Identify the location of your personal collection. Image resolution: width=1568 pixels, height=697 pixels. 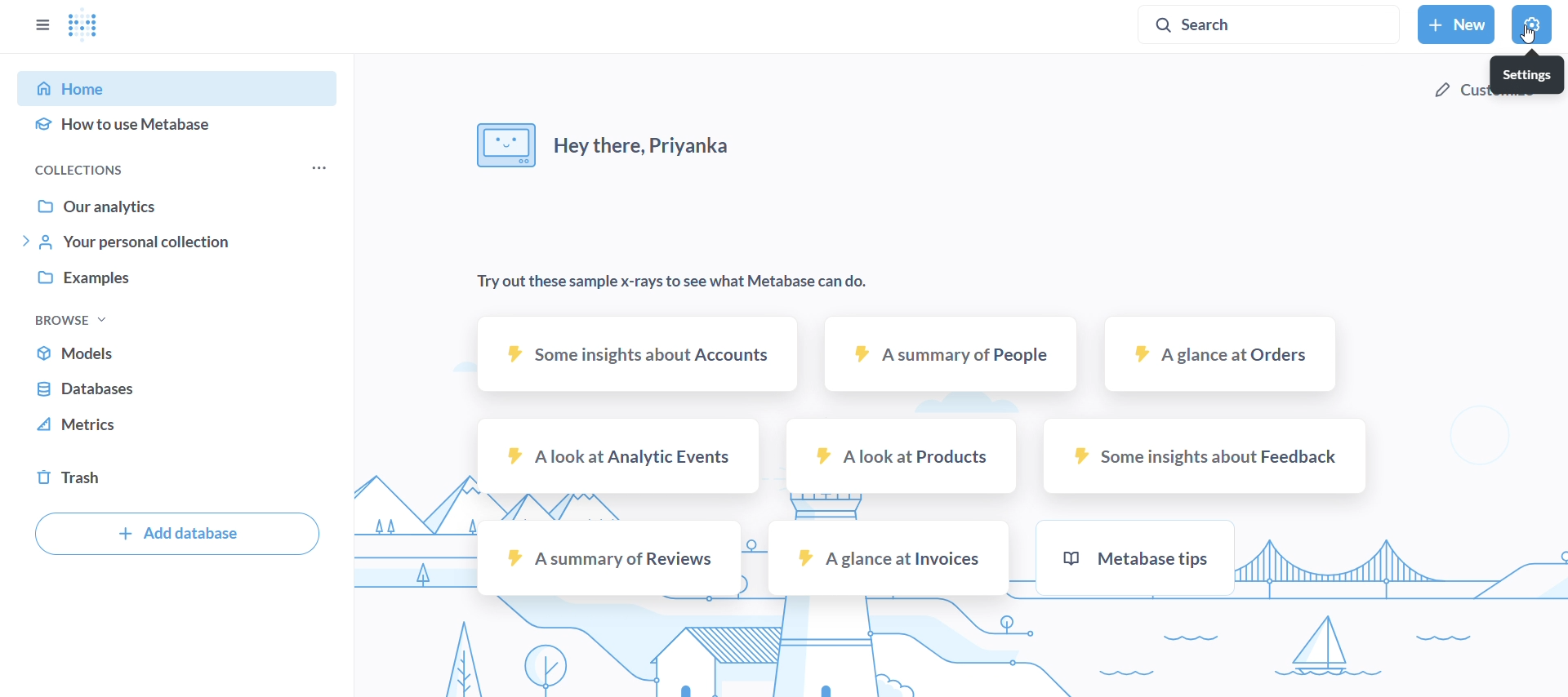
(179, 243).